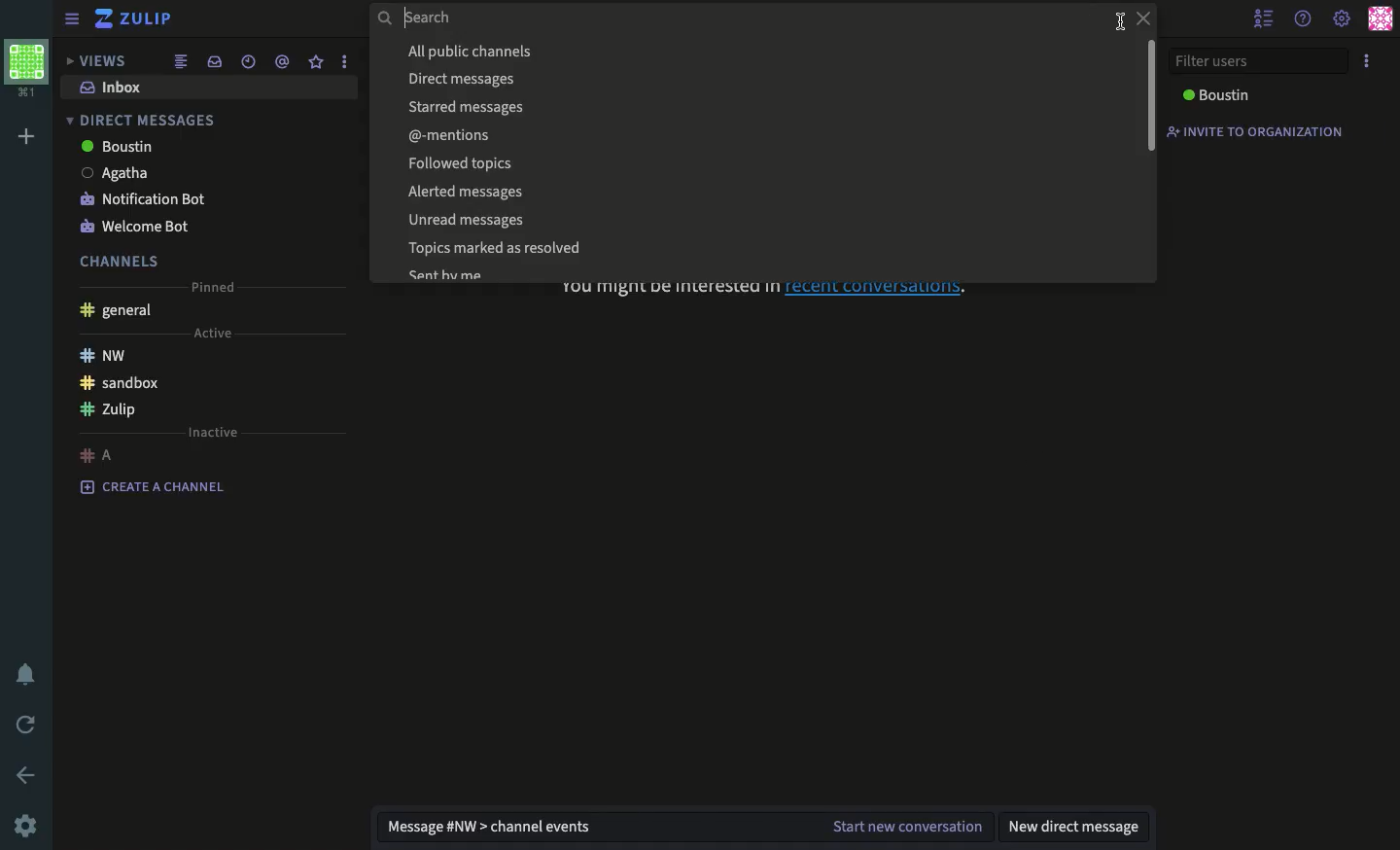 This screenshot has height=850, width=1400. Describe the element at coordinates (452, 137) in the screenshot. I see `@-mentions` at that location.